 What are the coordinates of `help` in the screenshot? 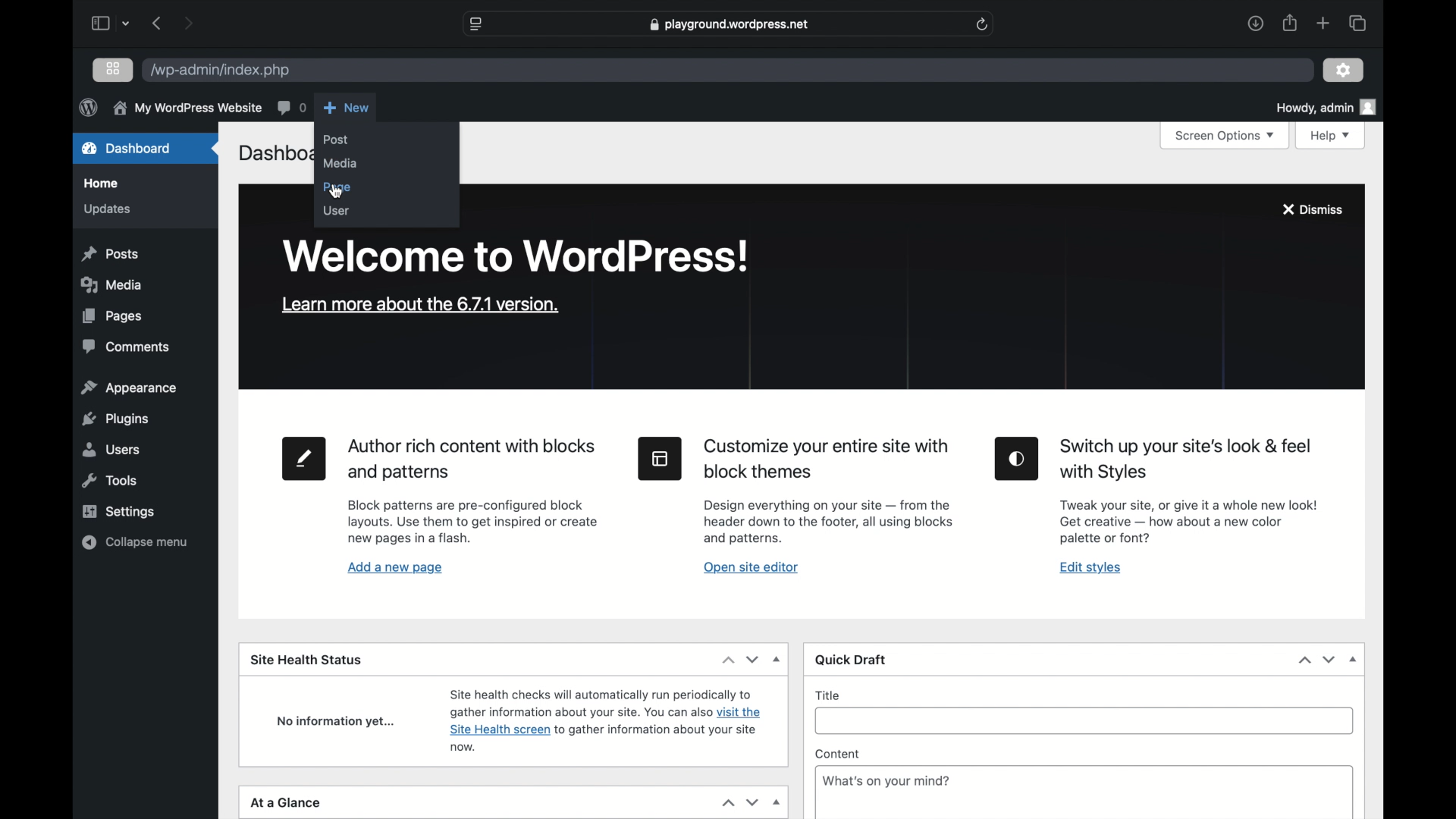 It's located at (1332, 135).